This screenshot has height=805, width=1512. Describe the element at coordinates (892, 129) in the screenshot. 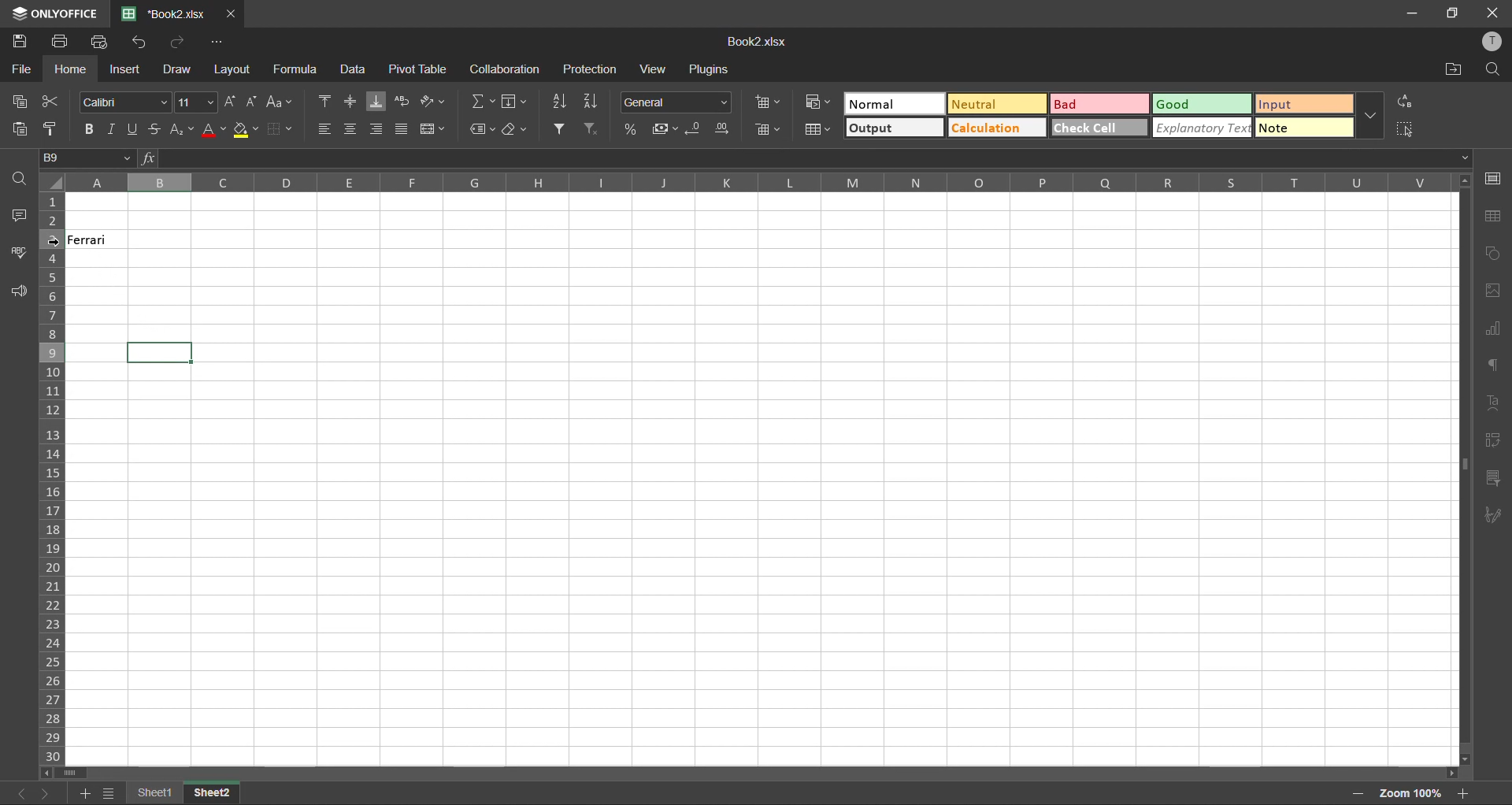

I see `output` at that location.